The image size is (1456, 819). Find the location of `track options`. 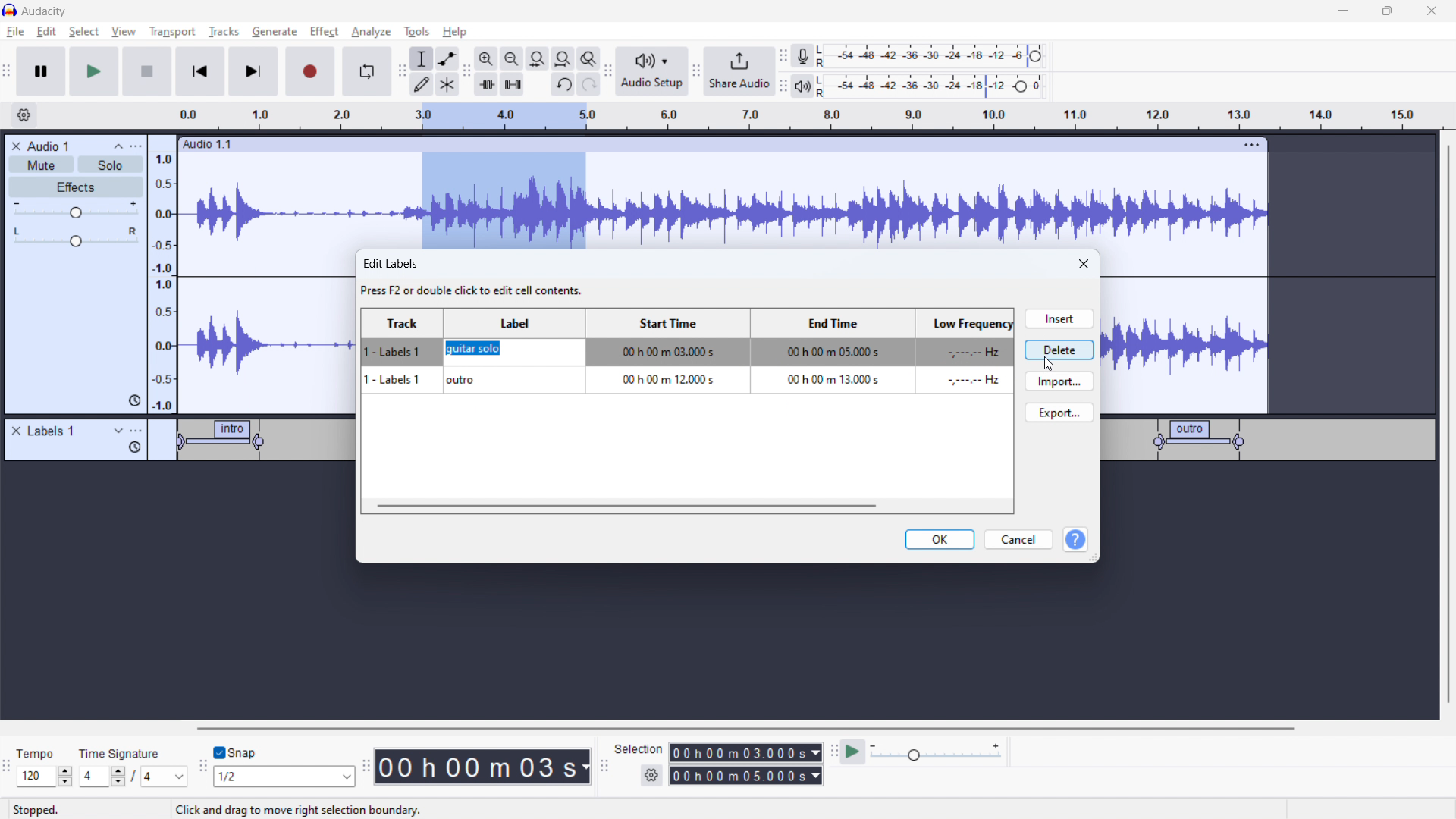

track options is located at coordinates (1254, 143).